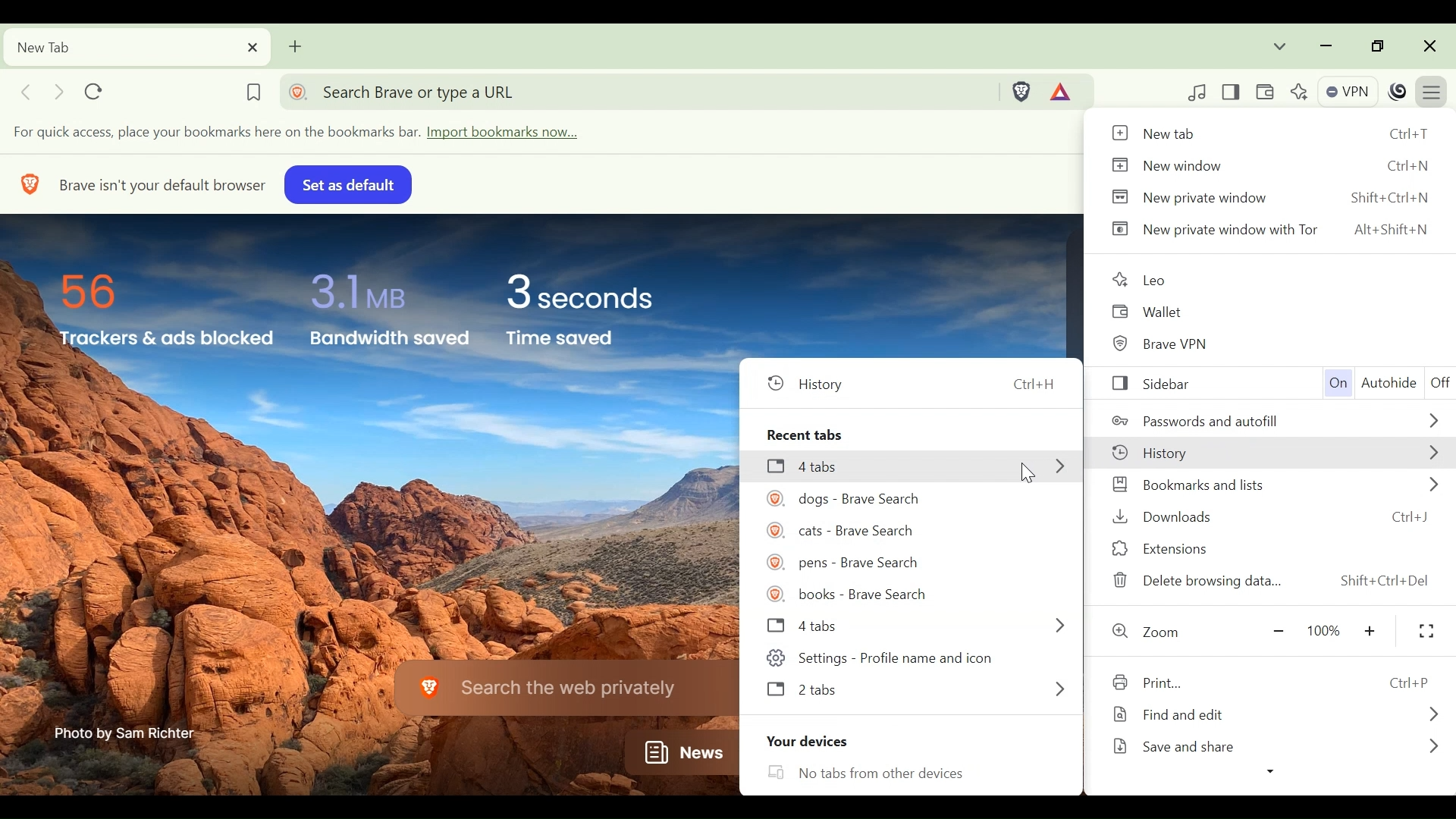 This screenshot has height=819, width=1456. I want to click on Control your videos, music and more, so click(1197, 92).